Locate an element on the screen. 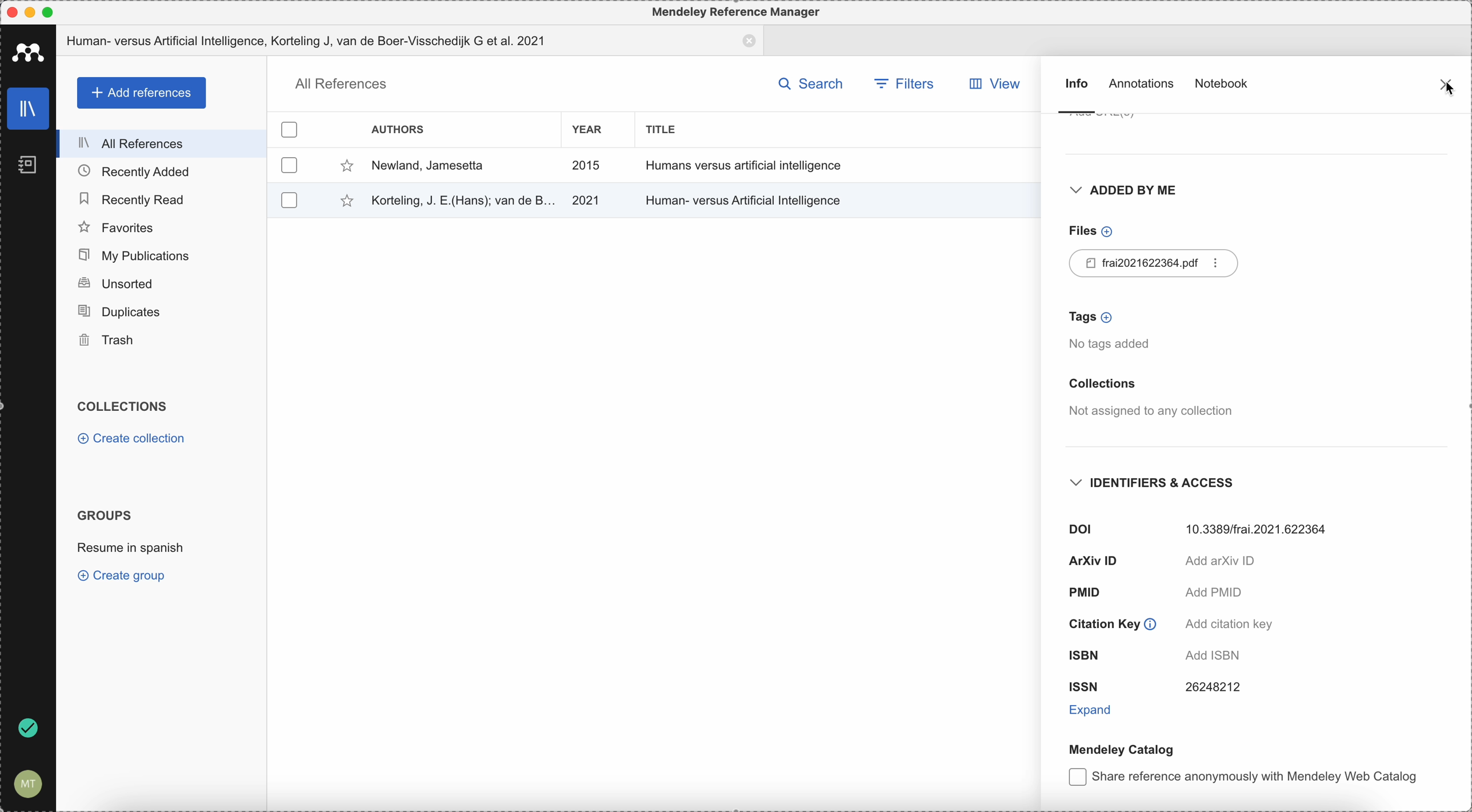 The height and width of the screenshot is (812, 1472). duplicates is located at coordinates (160, 313).